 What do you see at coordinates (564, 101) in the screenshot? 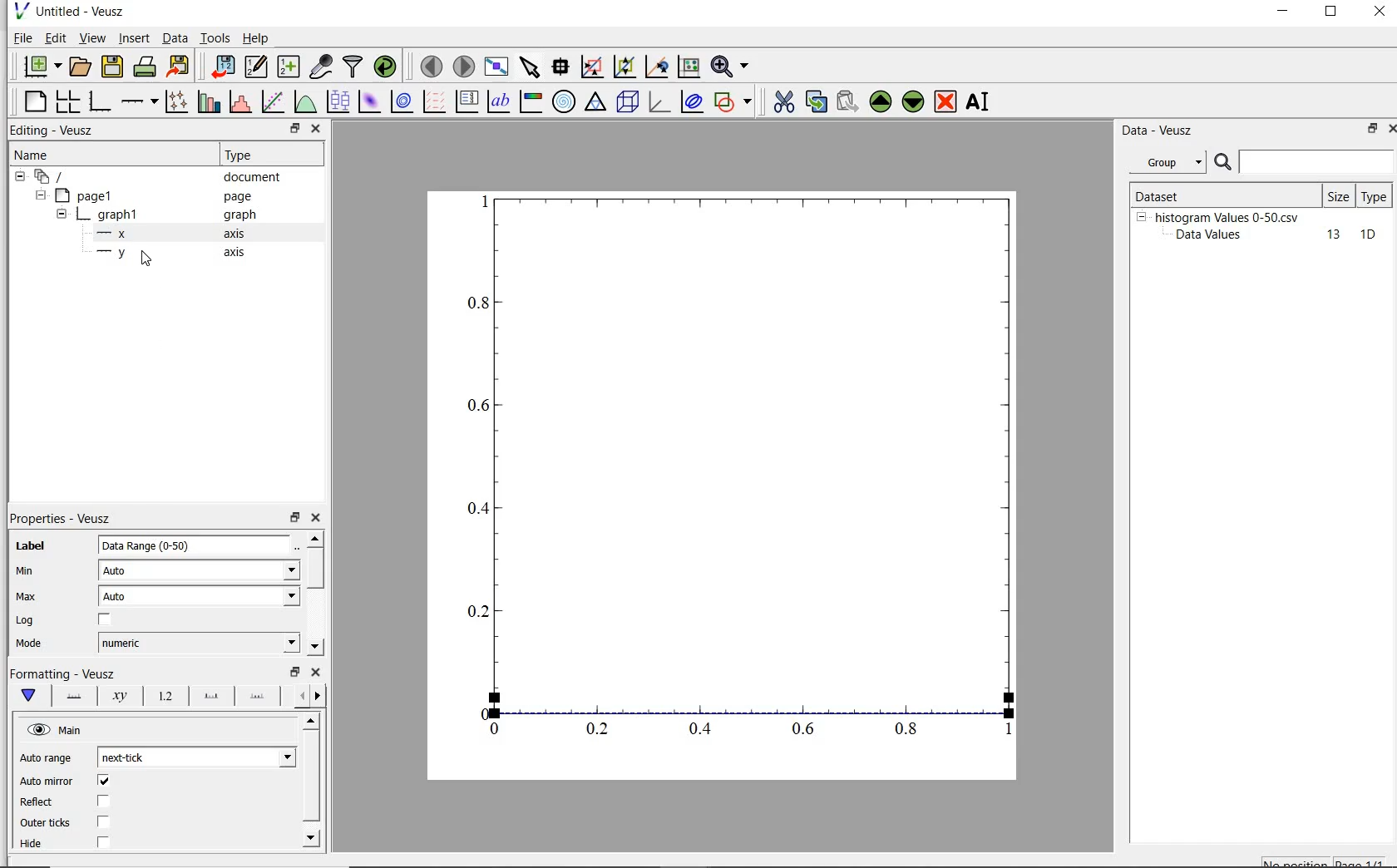
I see `polar graph` at bounding box center [564, 101].